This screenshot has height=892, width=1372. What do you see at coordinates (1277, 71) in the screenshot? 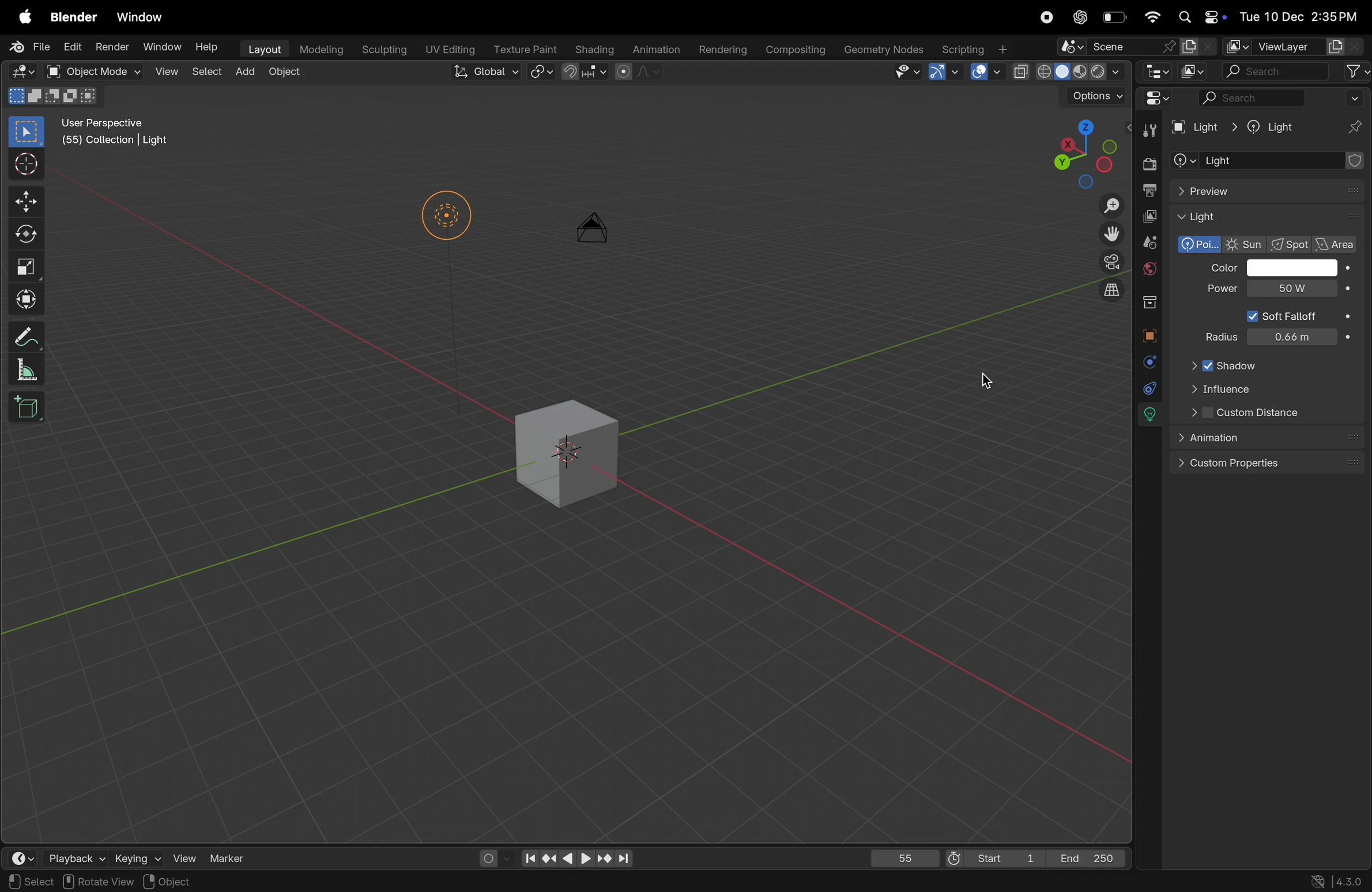
I see `search` at bounding box center [1277, 71].